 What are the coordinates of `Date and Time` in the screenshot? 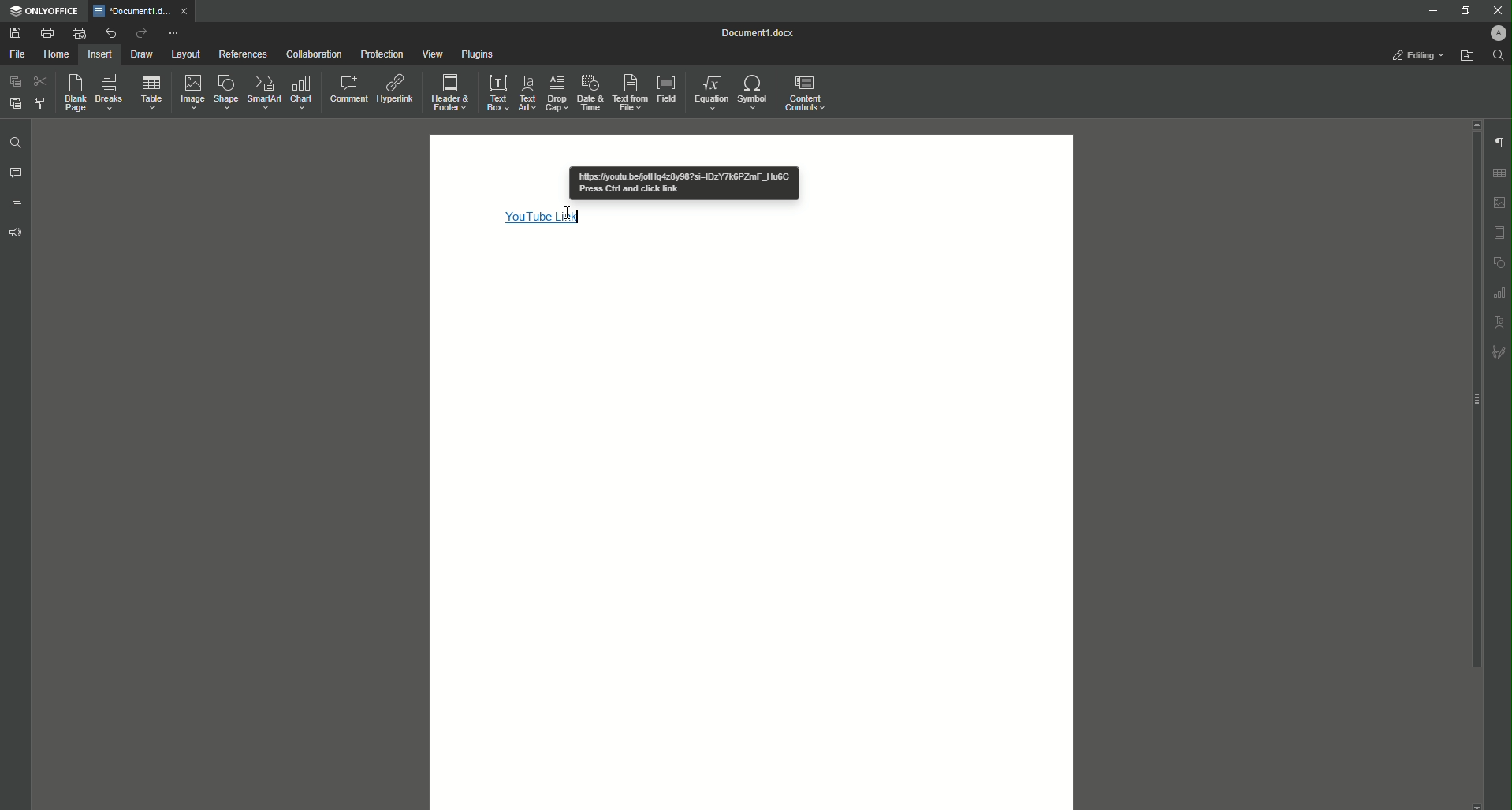 It's located at (590, 93).